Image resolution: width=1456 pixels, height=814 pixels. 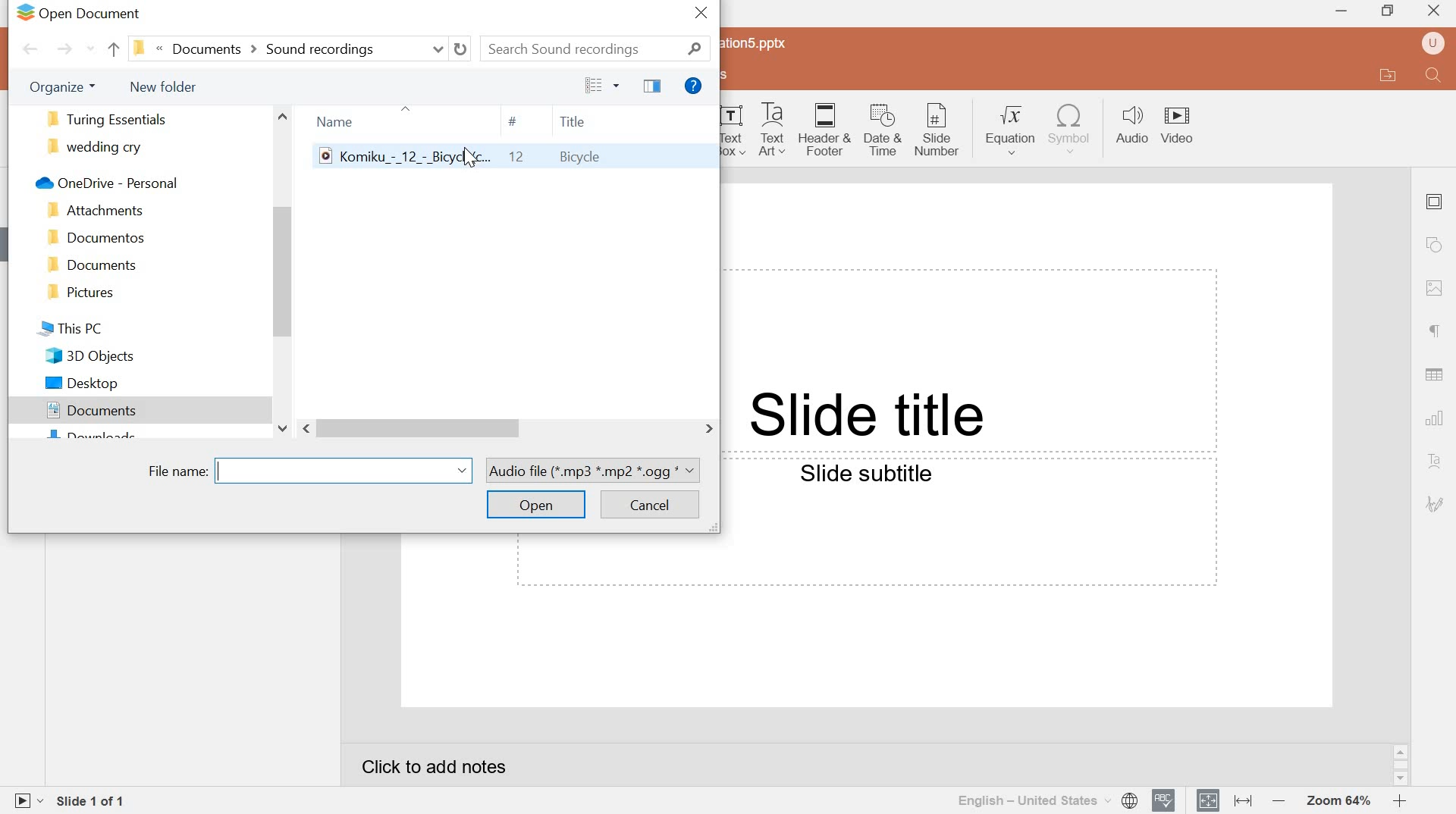 What do you see at coordinates (93, 803) in the screenshot?
I see `Slide 1 of 1` at bounding box center [93, 803].